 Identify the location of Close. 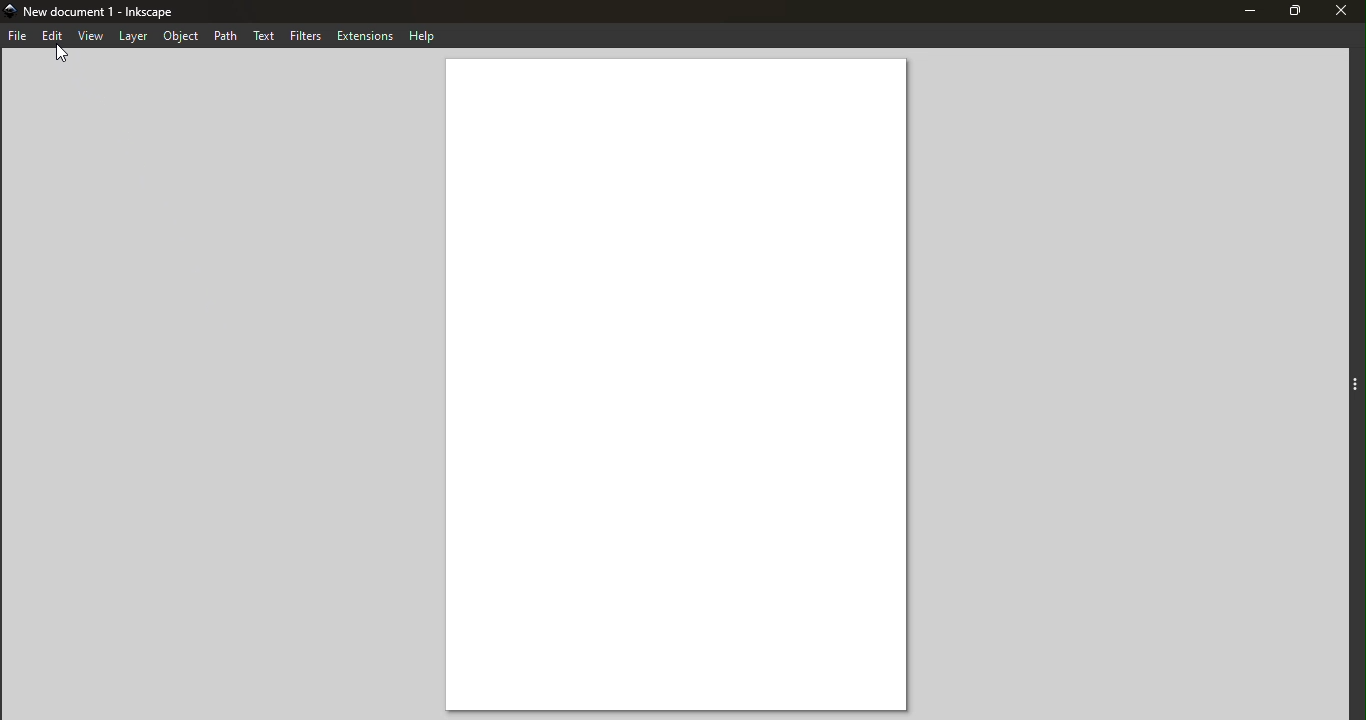
(1342, 13).